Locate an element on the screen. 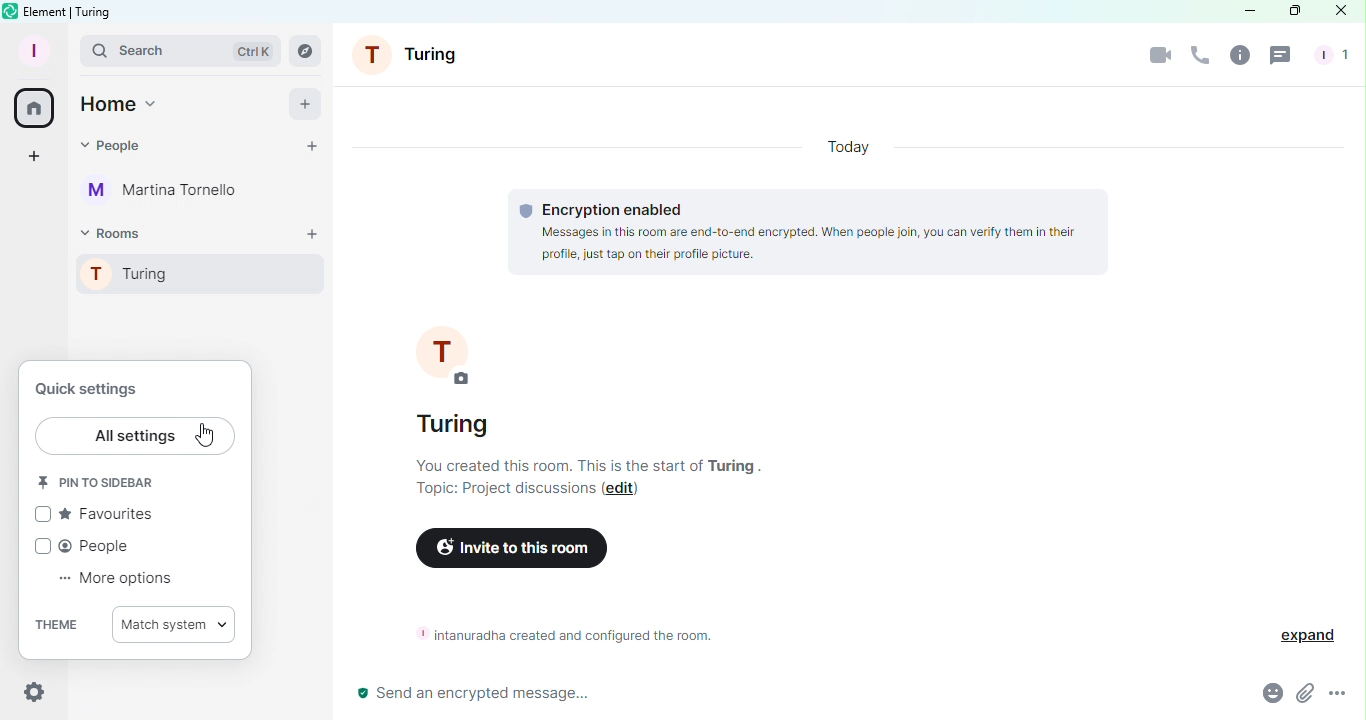  More Options is located at coordinates (1340, 694).